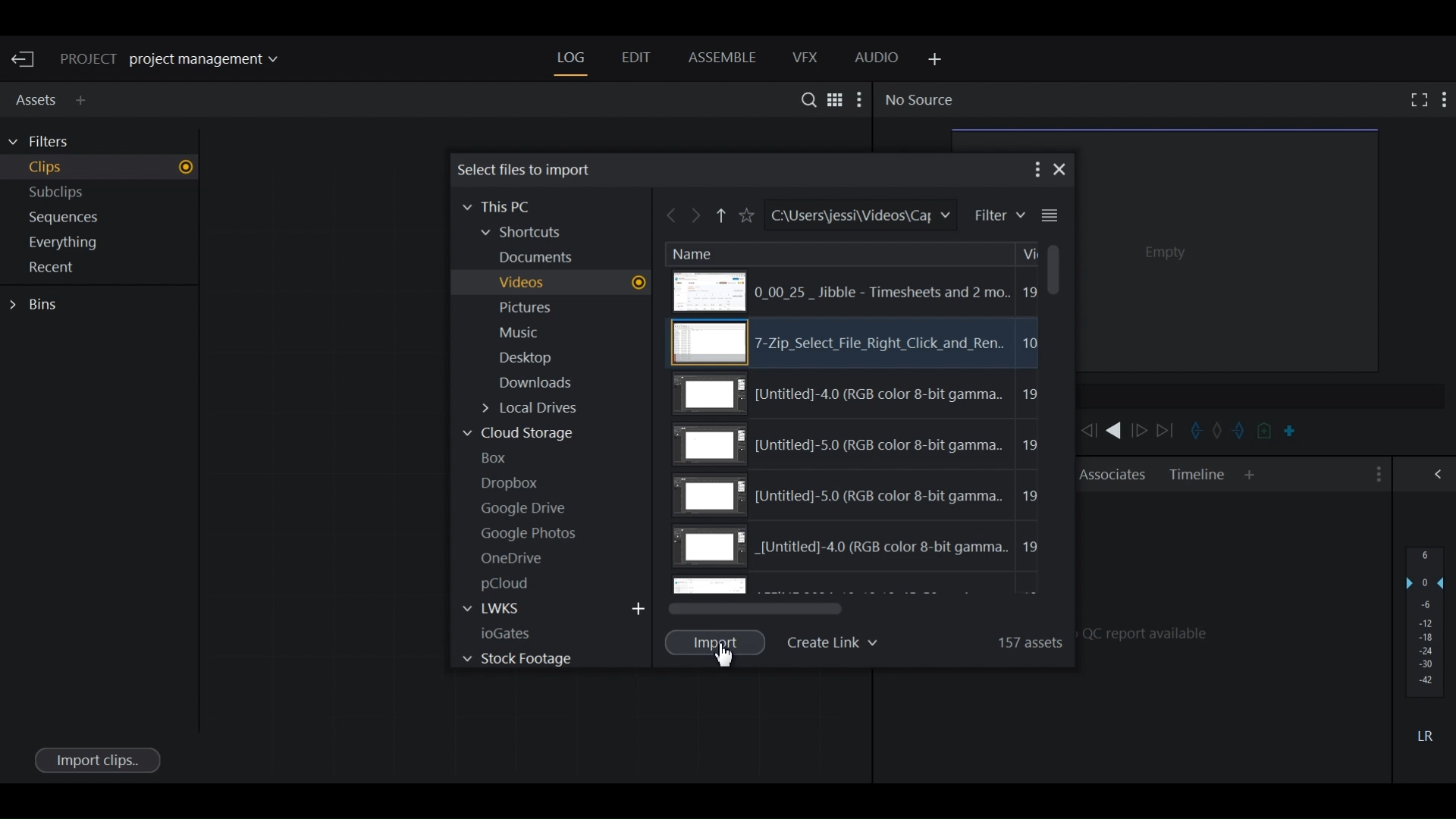  What do you see at coordinates (858, 215) in the screenshot?
I see `File Location` at bounding box center [858, 215].